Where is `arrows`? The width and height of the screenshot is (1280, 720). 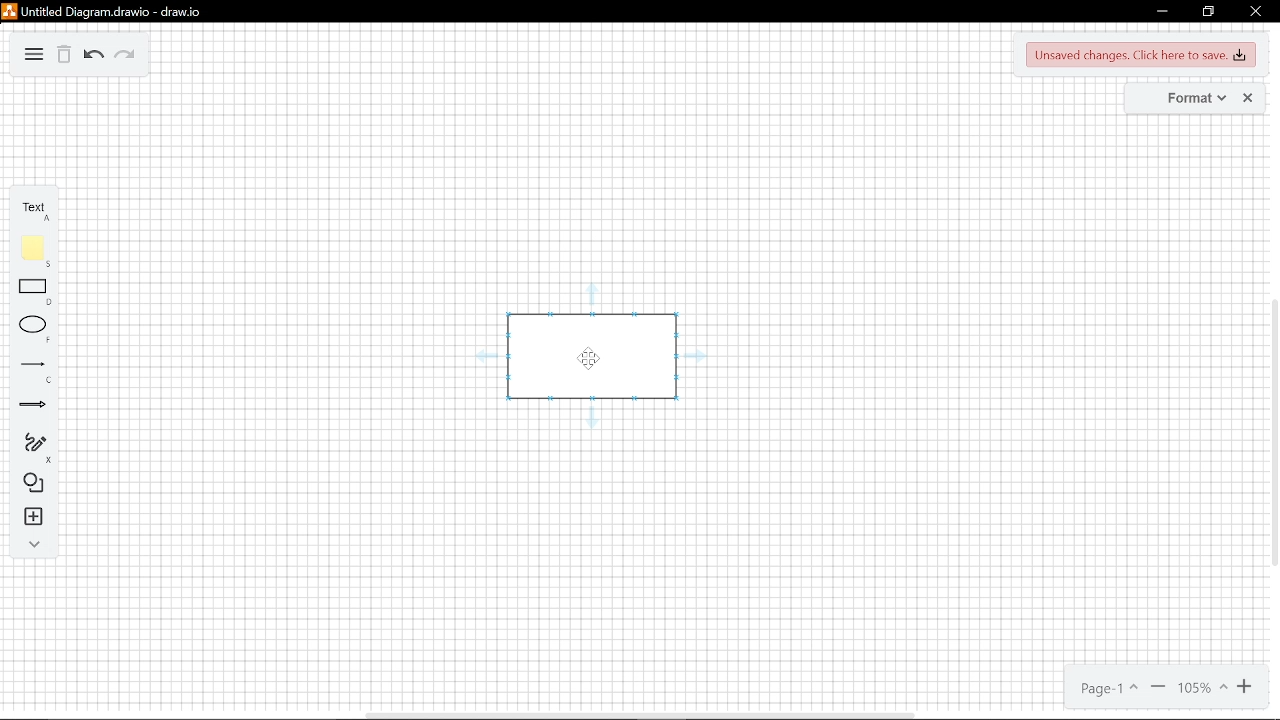 arrows is located at coordinates (36, 408).